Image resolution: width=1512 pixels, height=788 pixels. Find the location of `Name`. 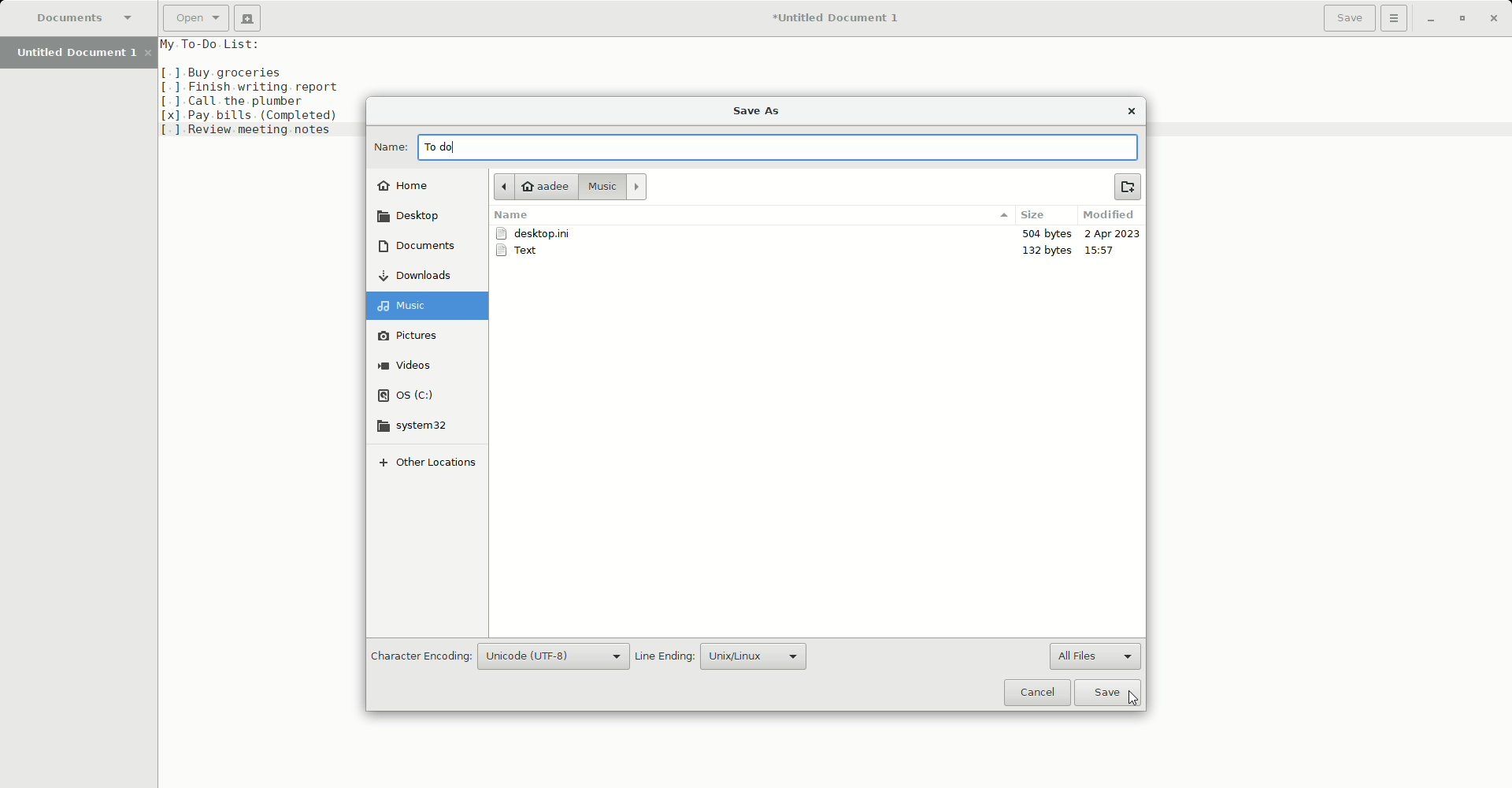

Name is located at coordinates (387, 146).